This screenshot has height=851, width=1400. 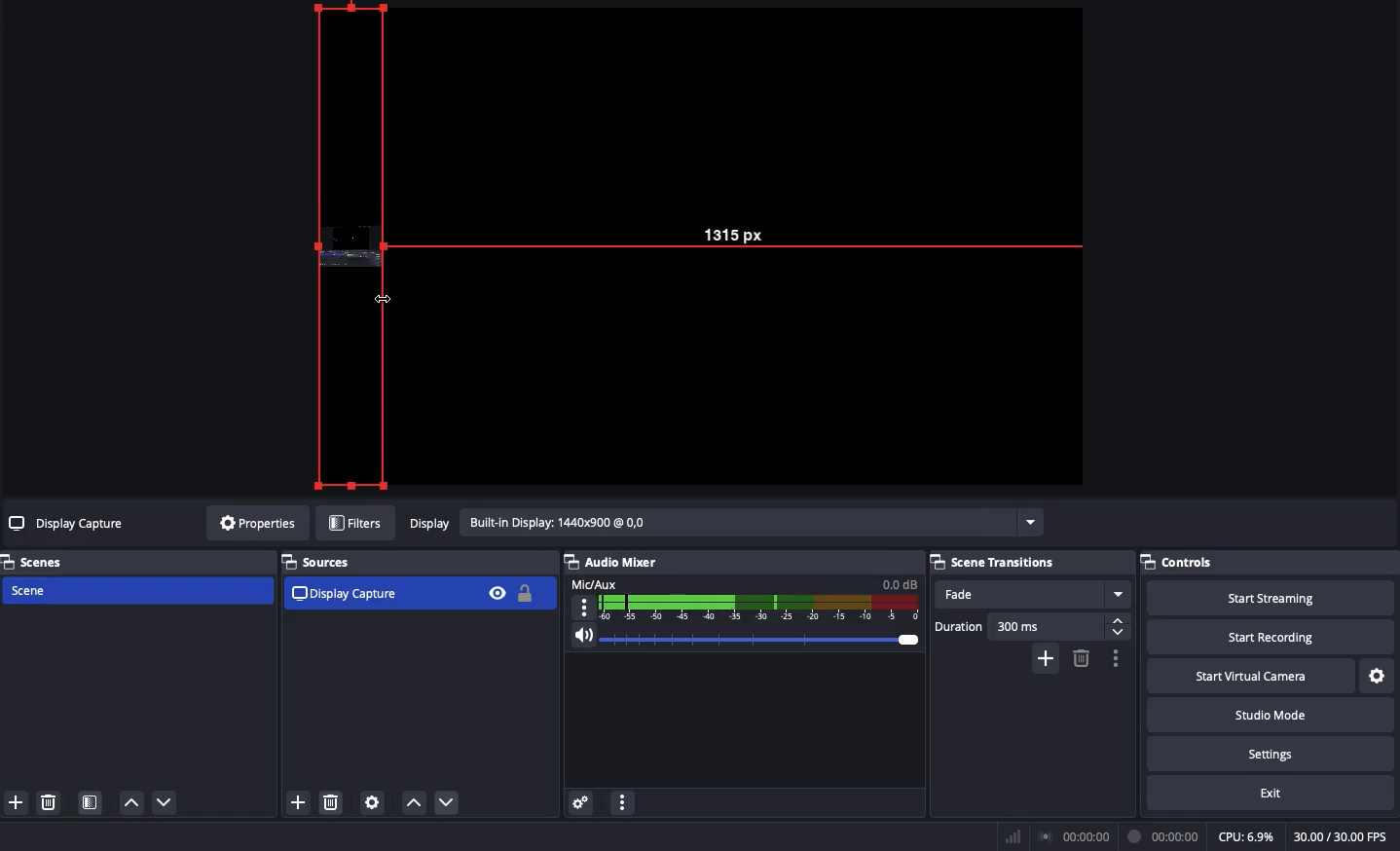 I want to click on Audio/mixer, so click(x=736, y=559).